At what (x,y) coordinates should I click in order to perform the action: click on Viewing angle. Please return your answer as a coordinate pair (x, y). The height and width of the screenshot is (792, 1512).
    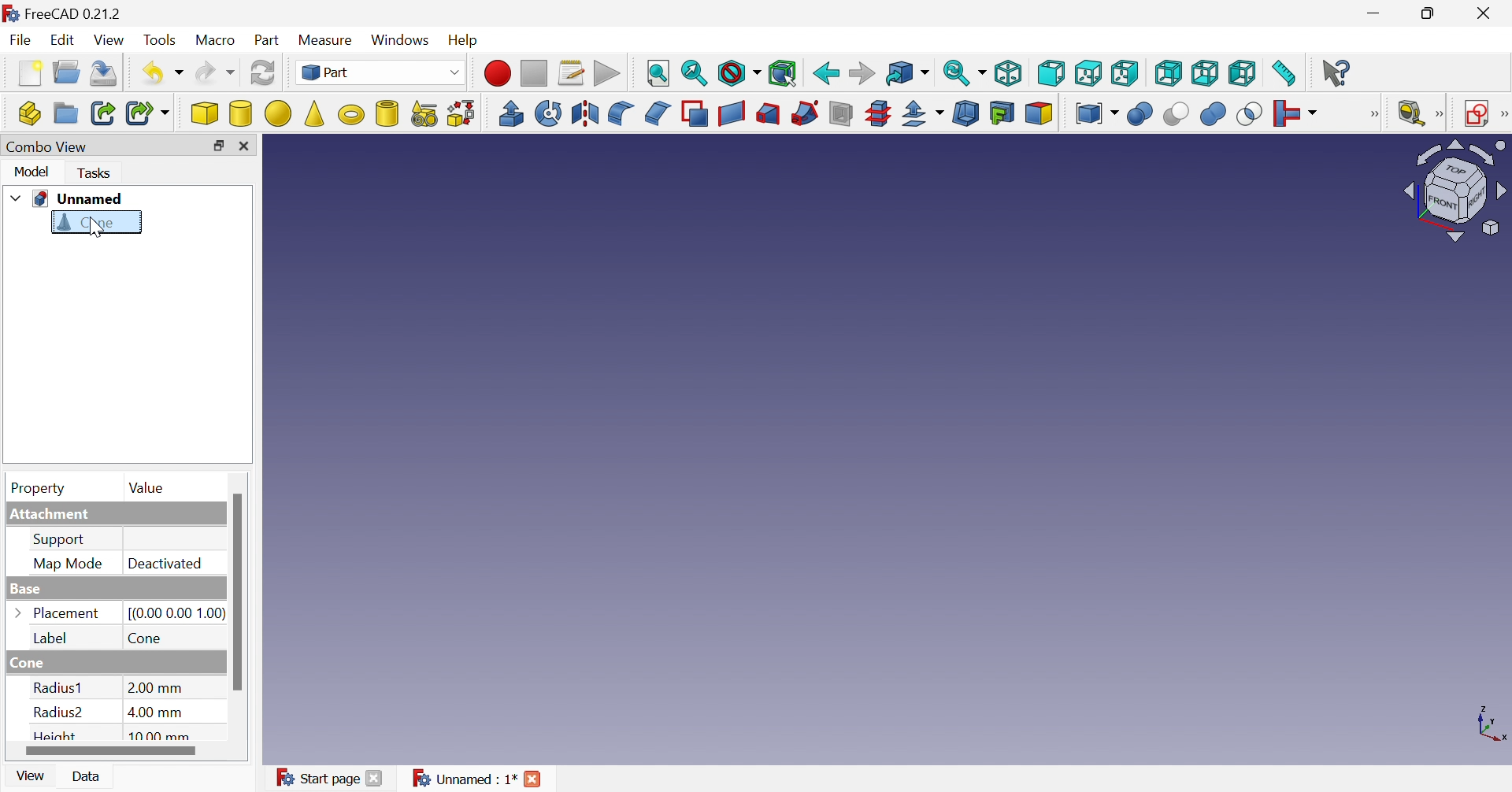
    Looking at the image, I should click on (1452, 192).